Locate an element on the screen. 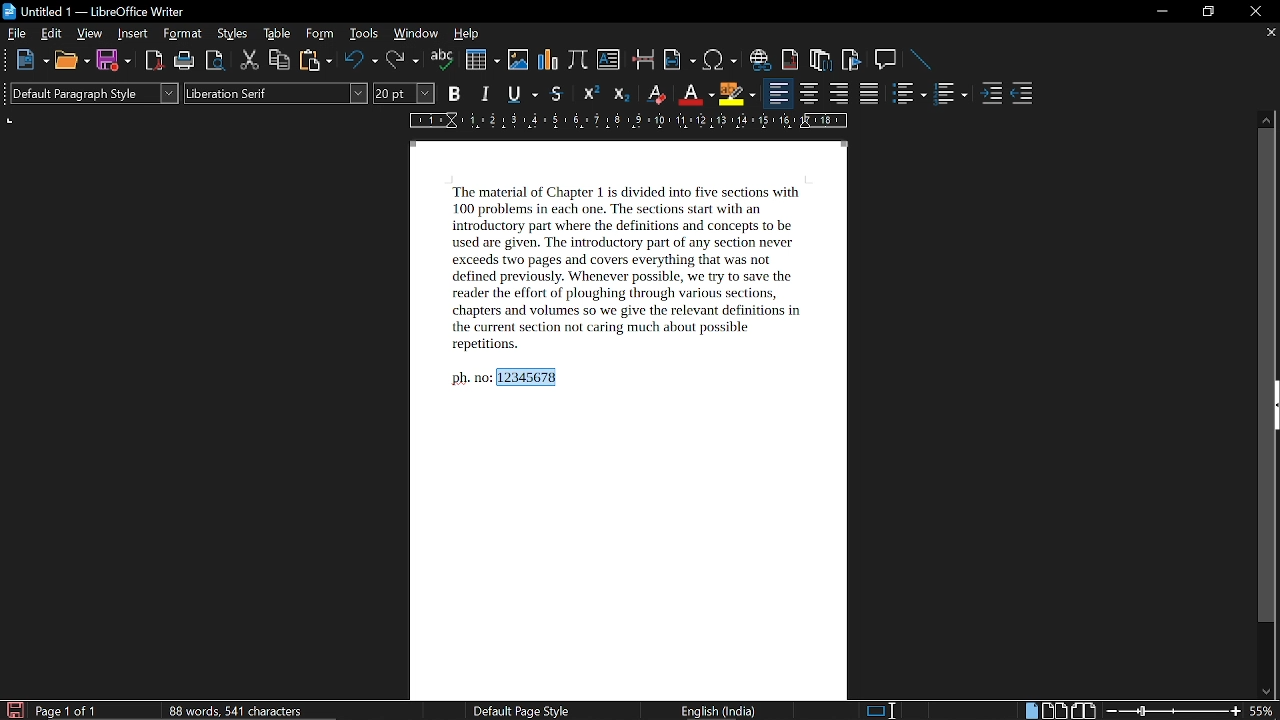 The width and height of the screenshot is (1280, 720). minimize is located at coordinates (1162, 12).